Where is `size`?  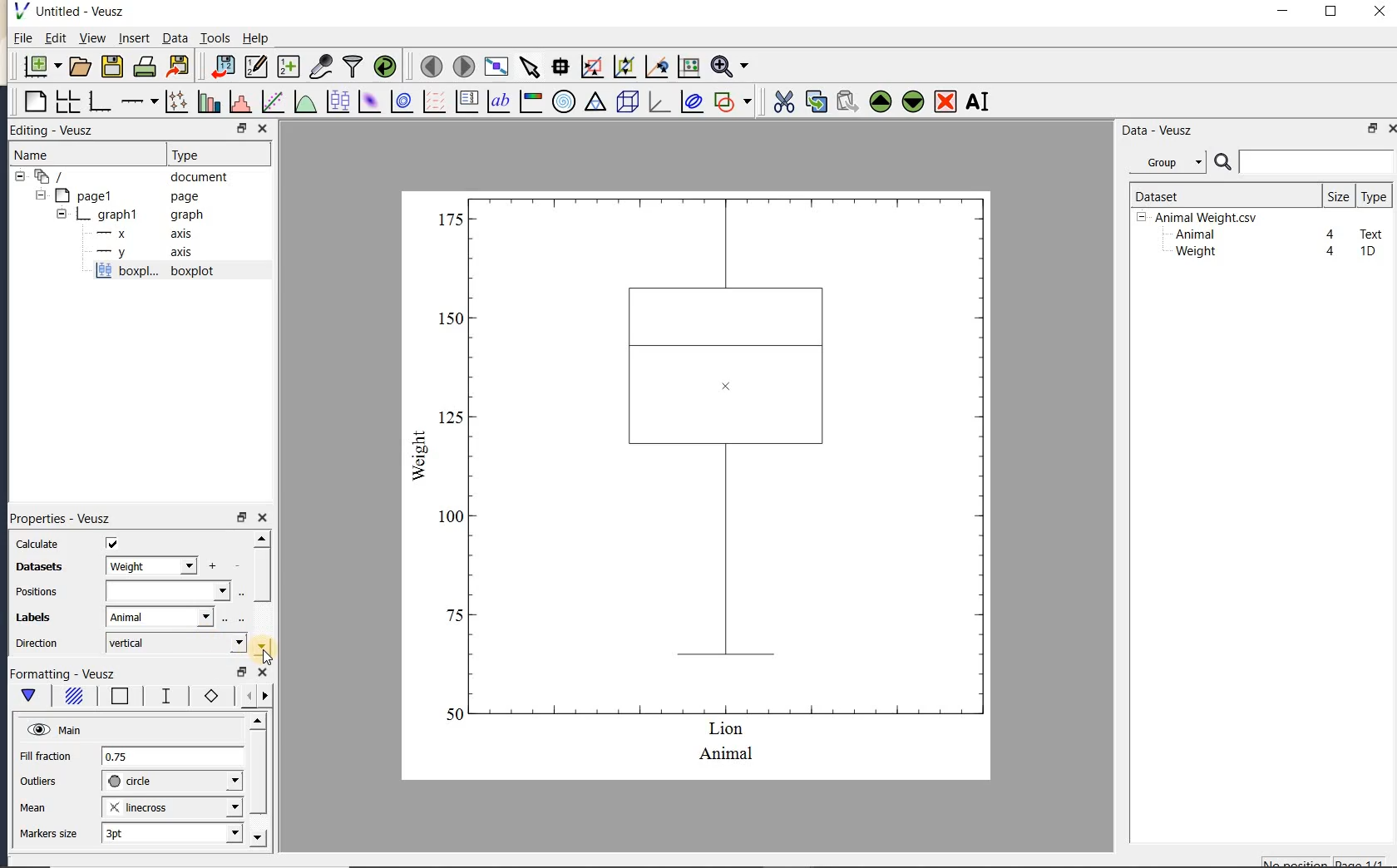
size is located at coordinates (1338, 195).